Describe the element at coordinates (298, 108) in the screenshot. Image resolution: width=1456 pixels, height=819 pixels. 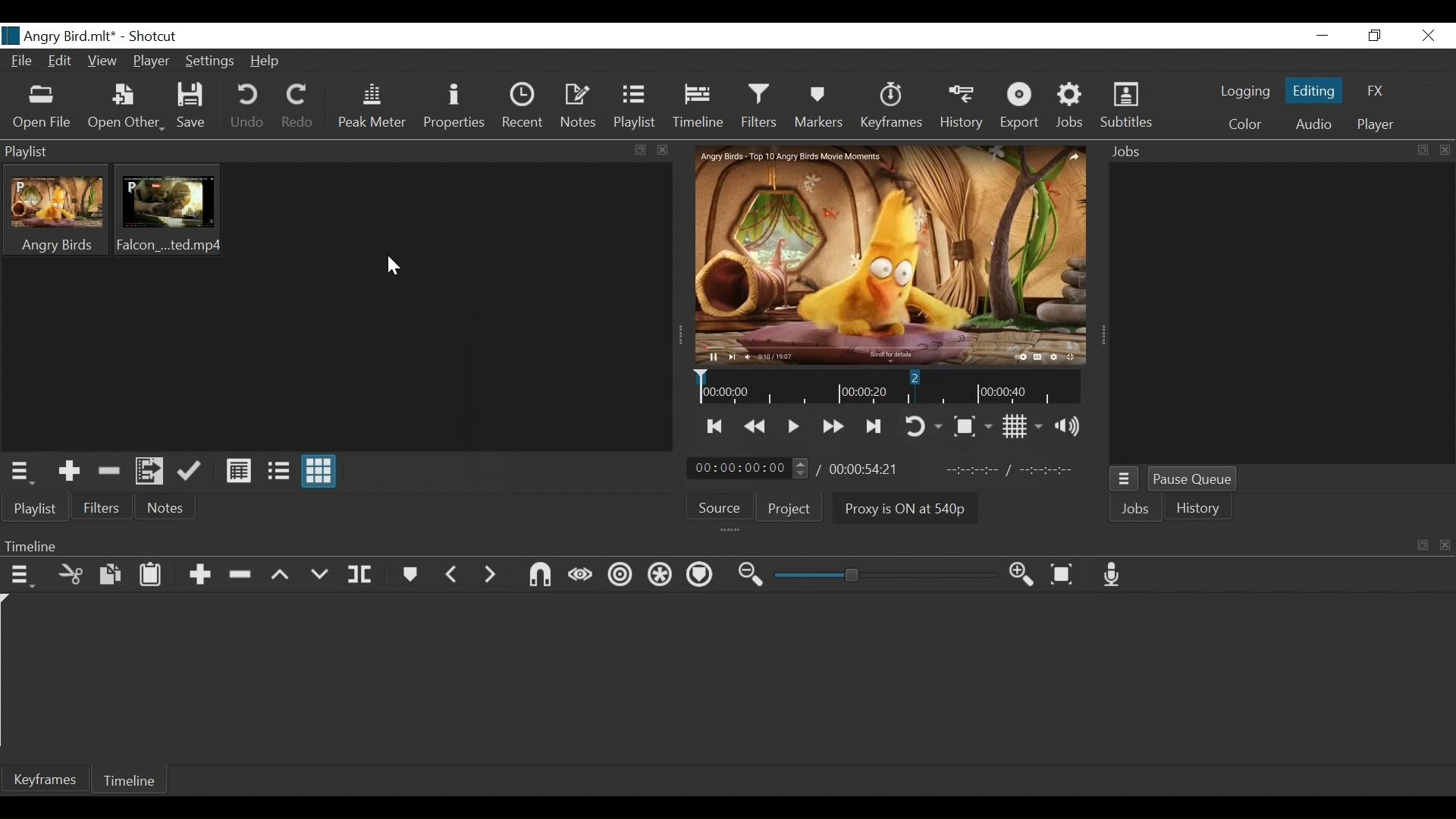
I see `Redo` at that location.